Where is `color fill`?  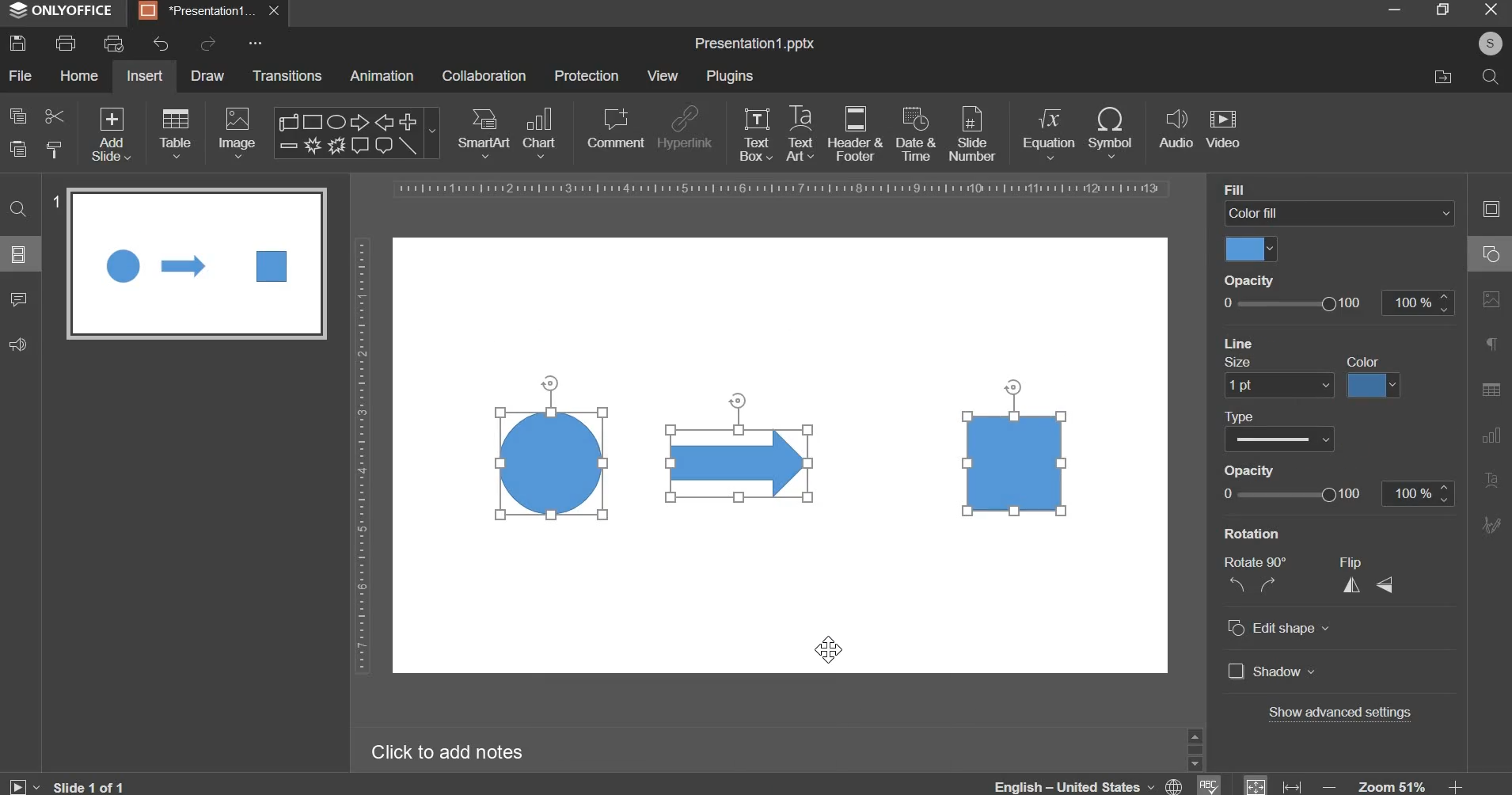
color fill is located at coordinates (1252, 249).